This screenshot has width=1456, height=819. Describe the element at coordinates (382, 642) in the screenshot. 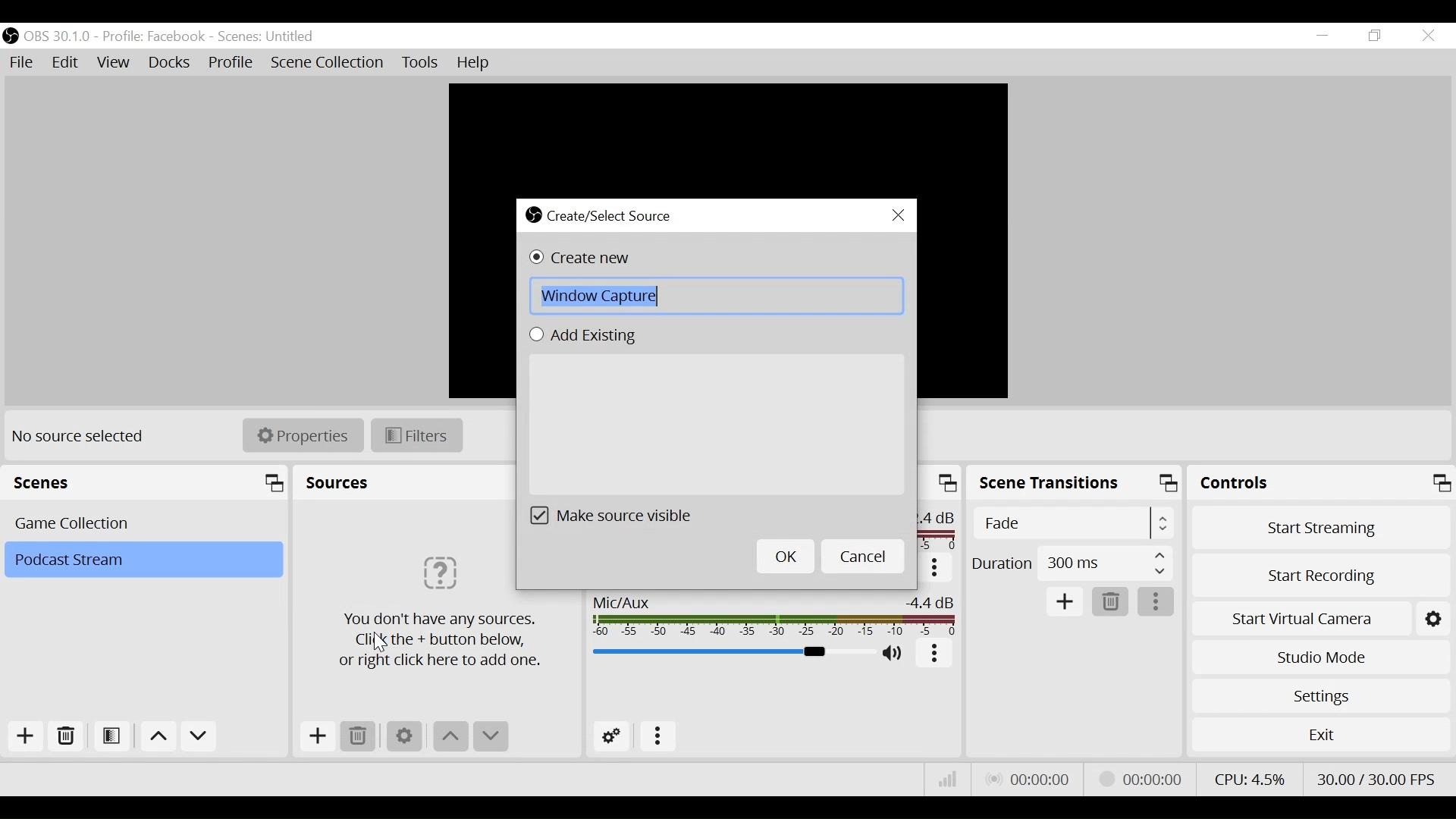

I see `cursor` at that location.